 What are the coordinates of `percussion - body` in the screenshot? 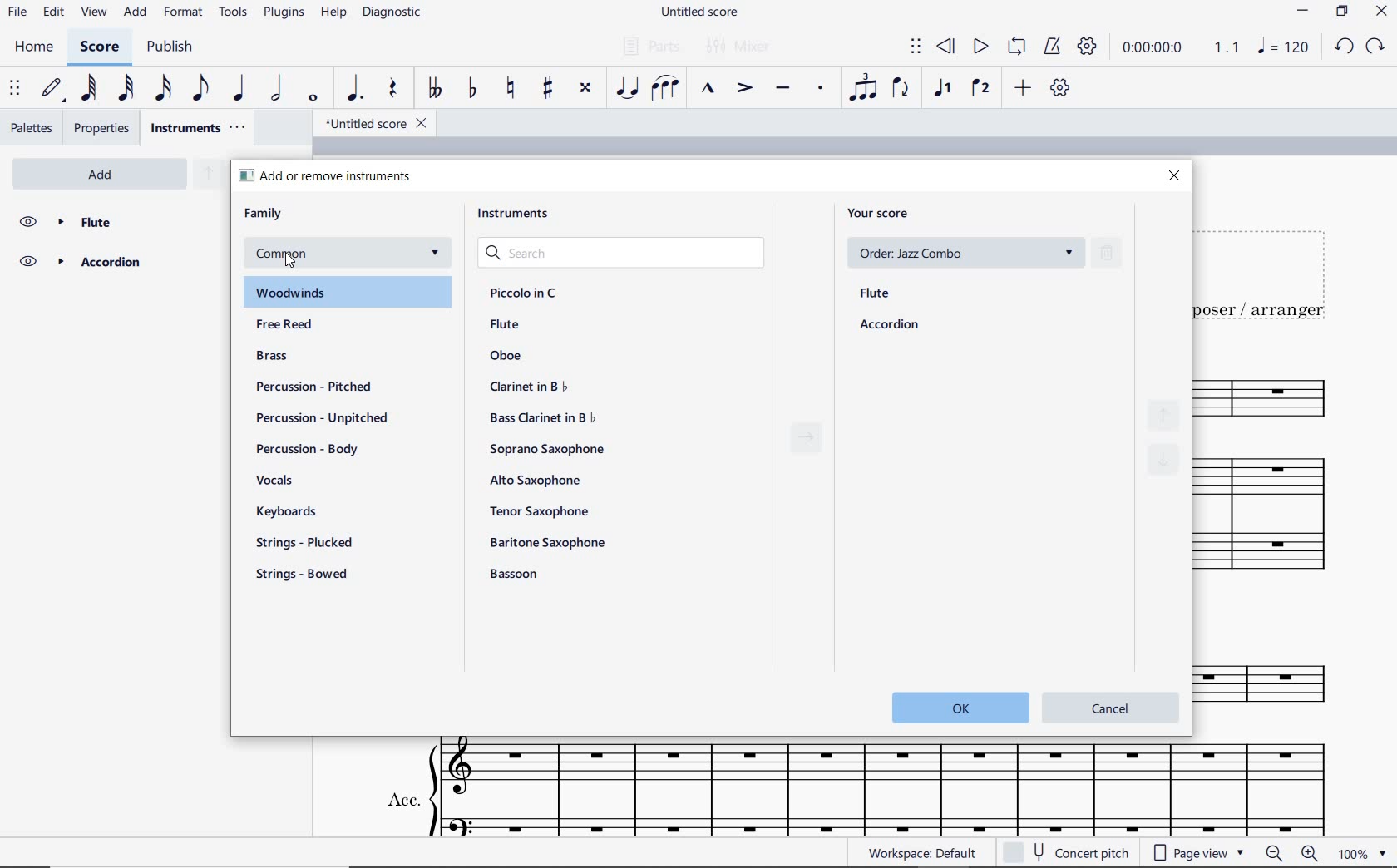 It's located at (313, 447).